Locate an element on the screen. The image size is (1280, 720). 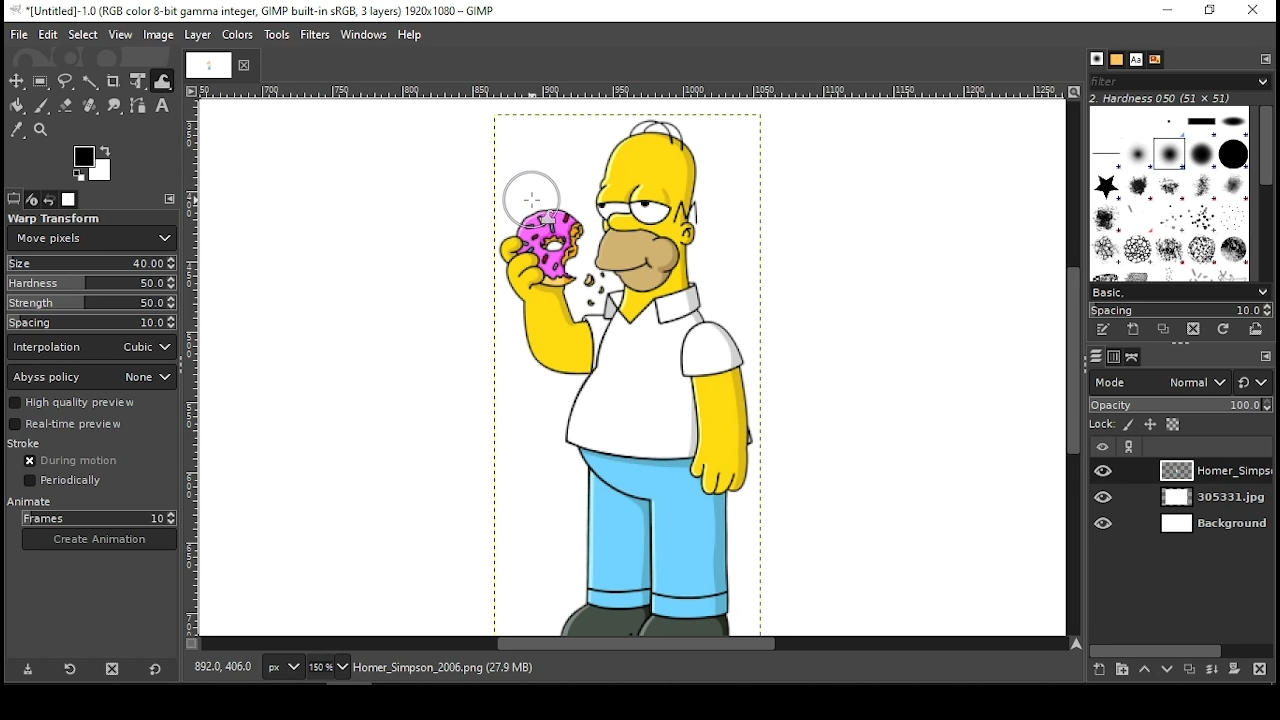
create a new layer is located at coordinates (1101, 671).